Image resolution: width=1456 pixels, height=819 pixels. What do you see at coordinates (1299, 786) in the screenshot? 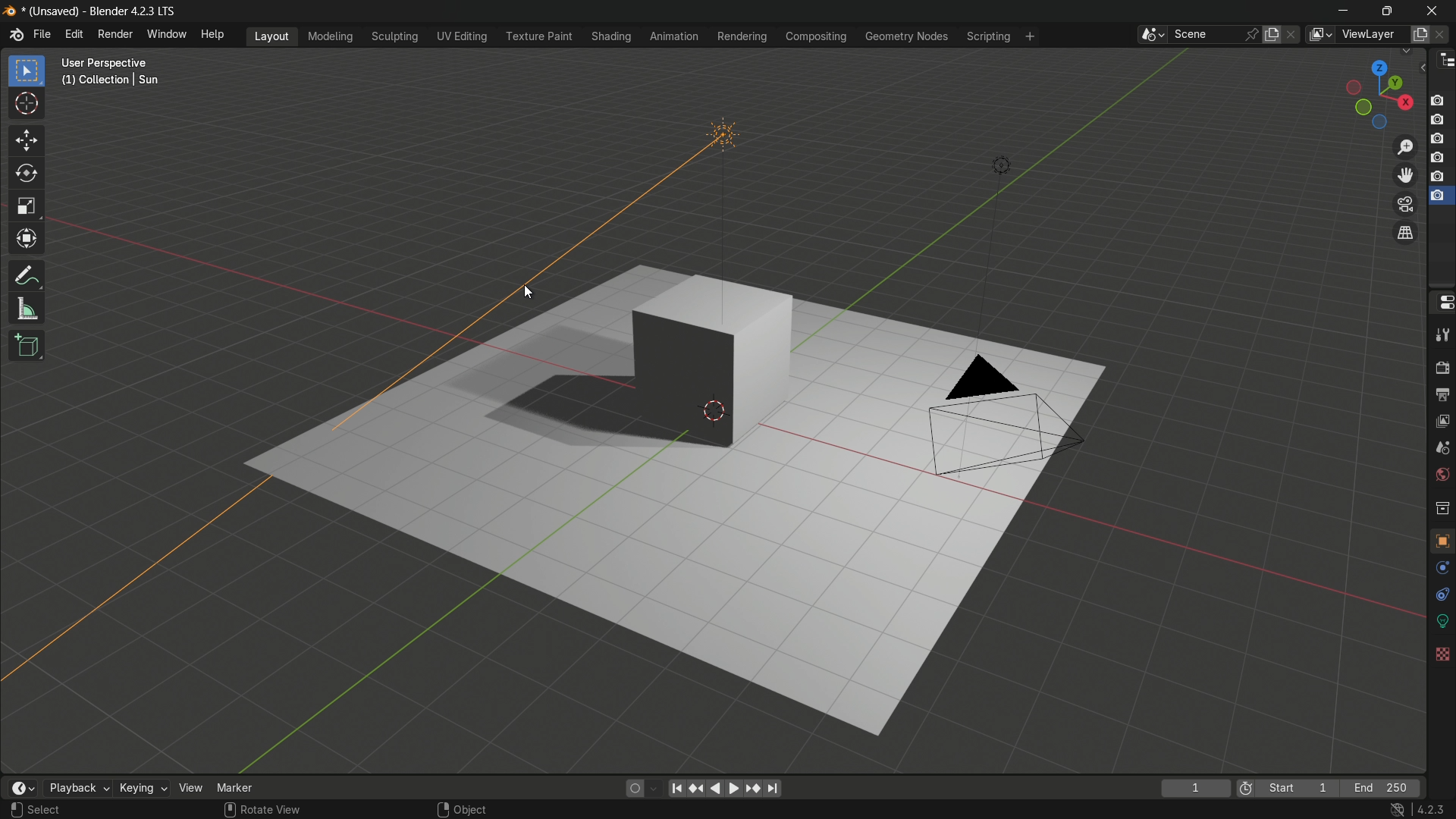
I see `start 1` at bounding box center [1299, 786].